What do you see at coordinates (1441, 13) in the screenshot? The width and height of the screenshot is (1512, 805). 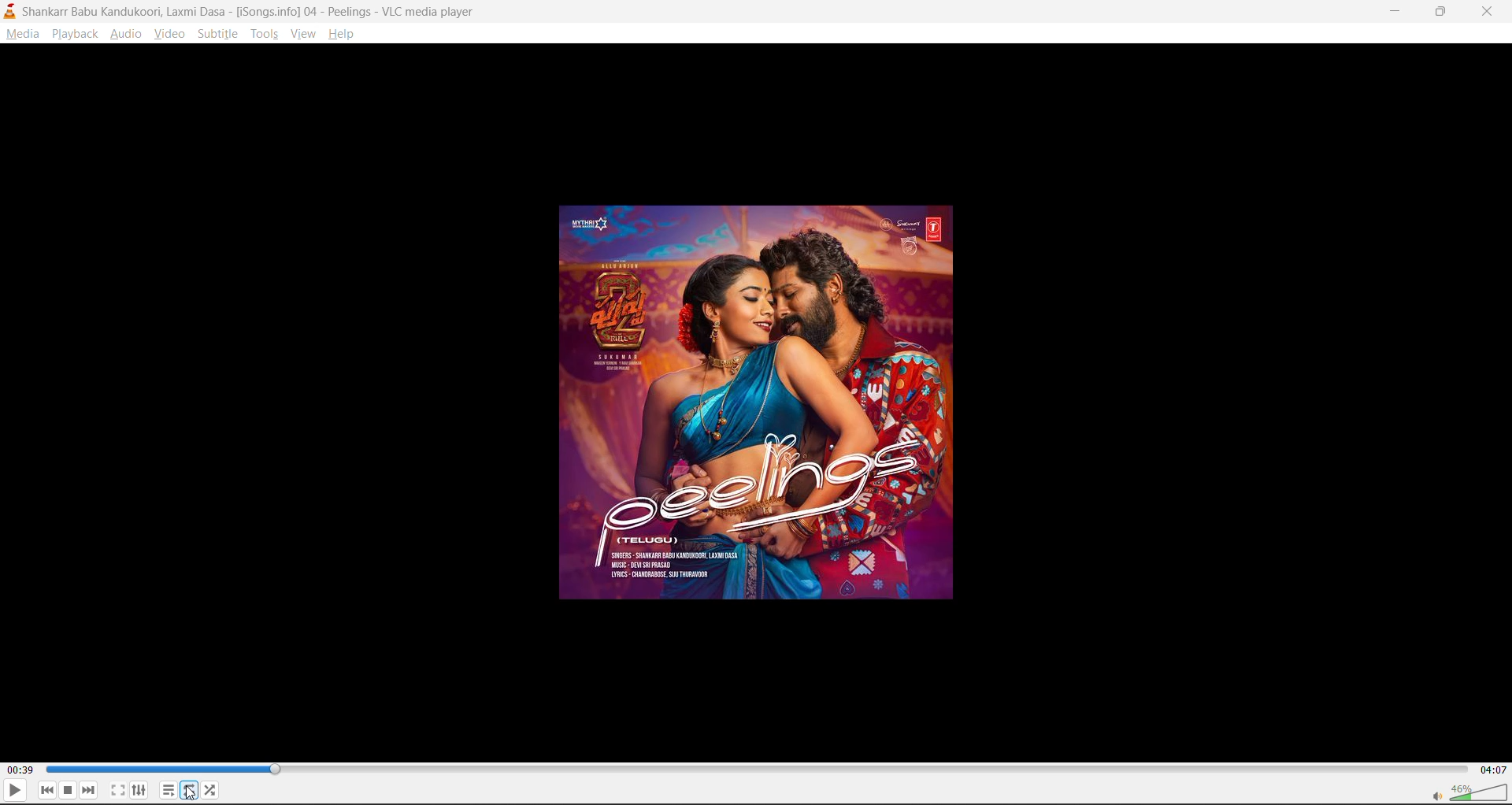 I see `maximize` at bounding box center [1441, 13].